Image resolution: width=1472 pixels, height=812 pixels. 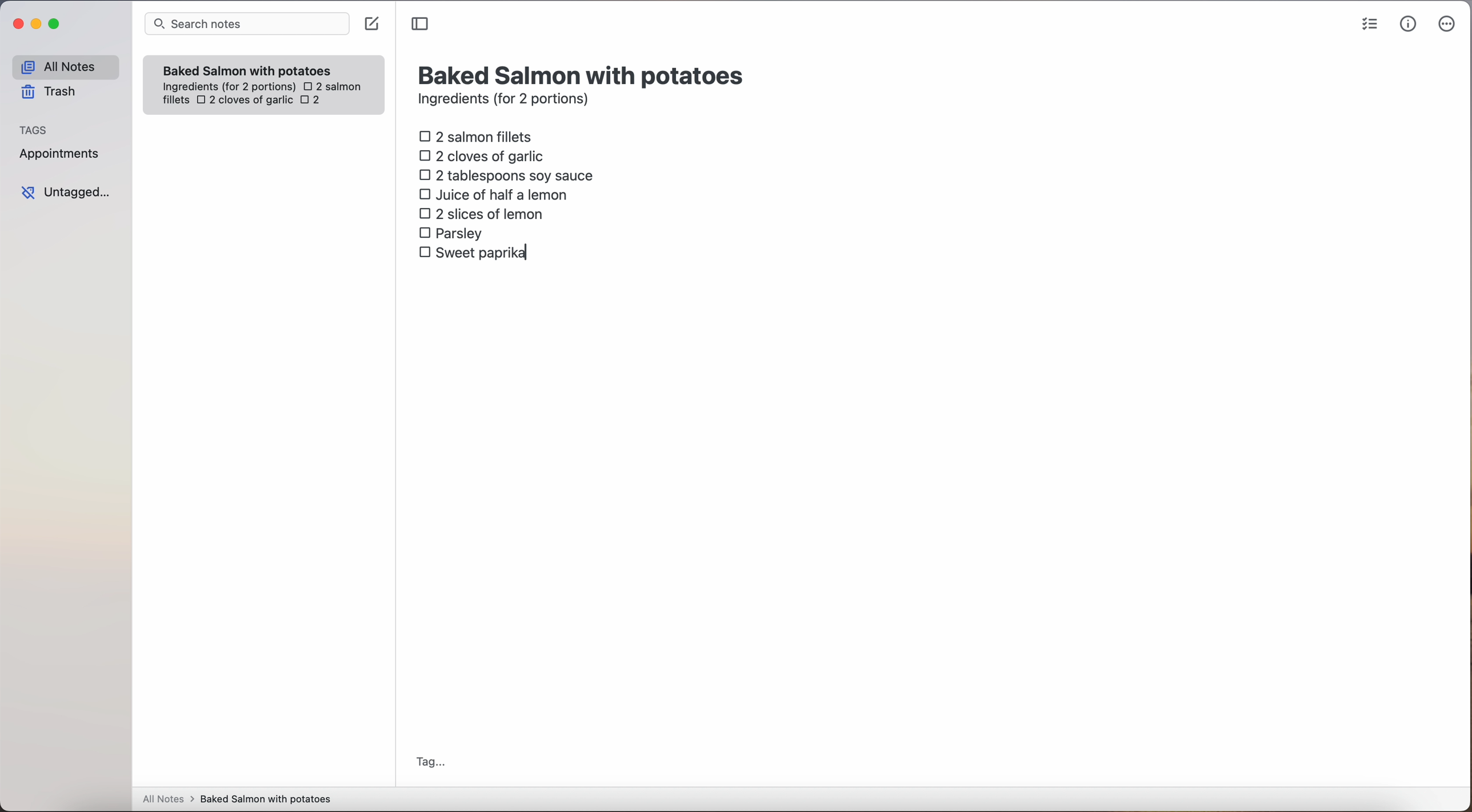 What do you see at coordinates (583, 74) in the screenshot?
I see `title` at bounding box center [583, 74].